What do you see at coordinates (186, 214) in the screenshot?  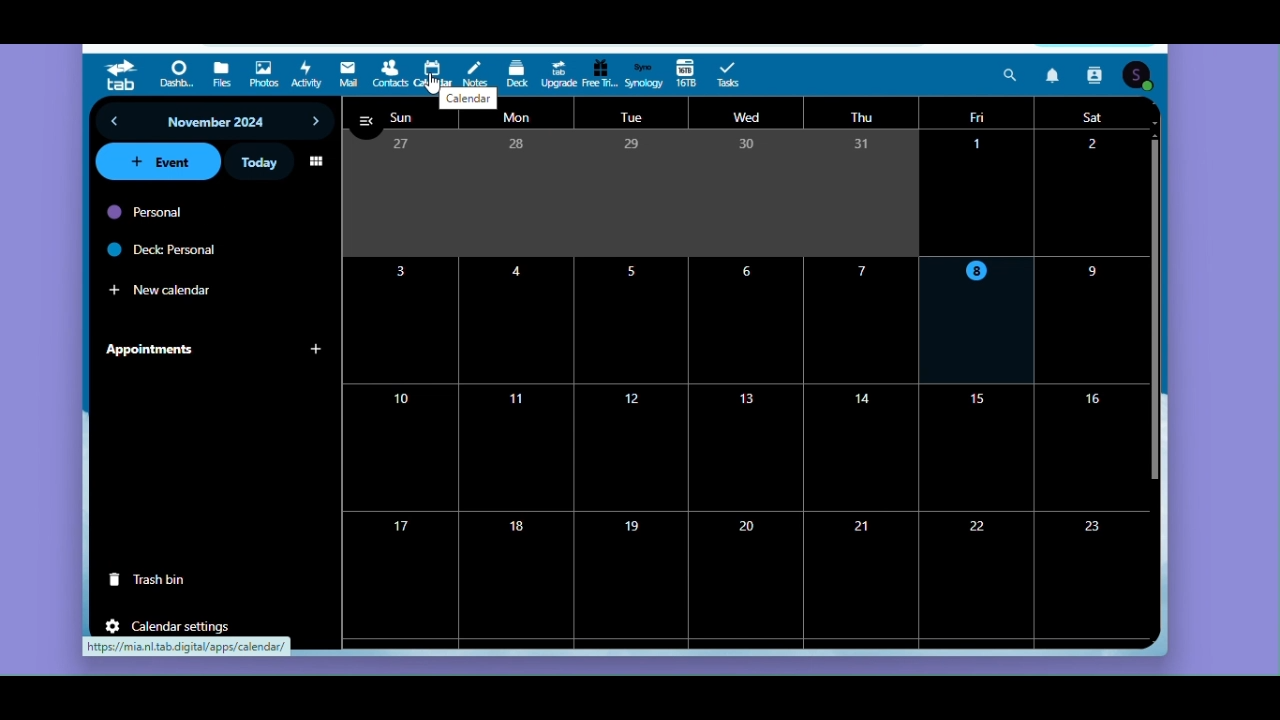 I see `Personal` at bounding box center [186, 214].